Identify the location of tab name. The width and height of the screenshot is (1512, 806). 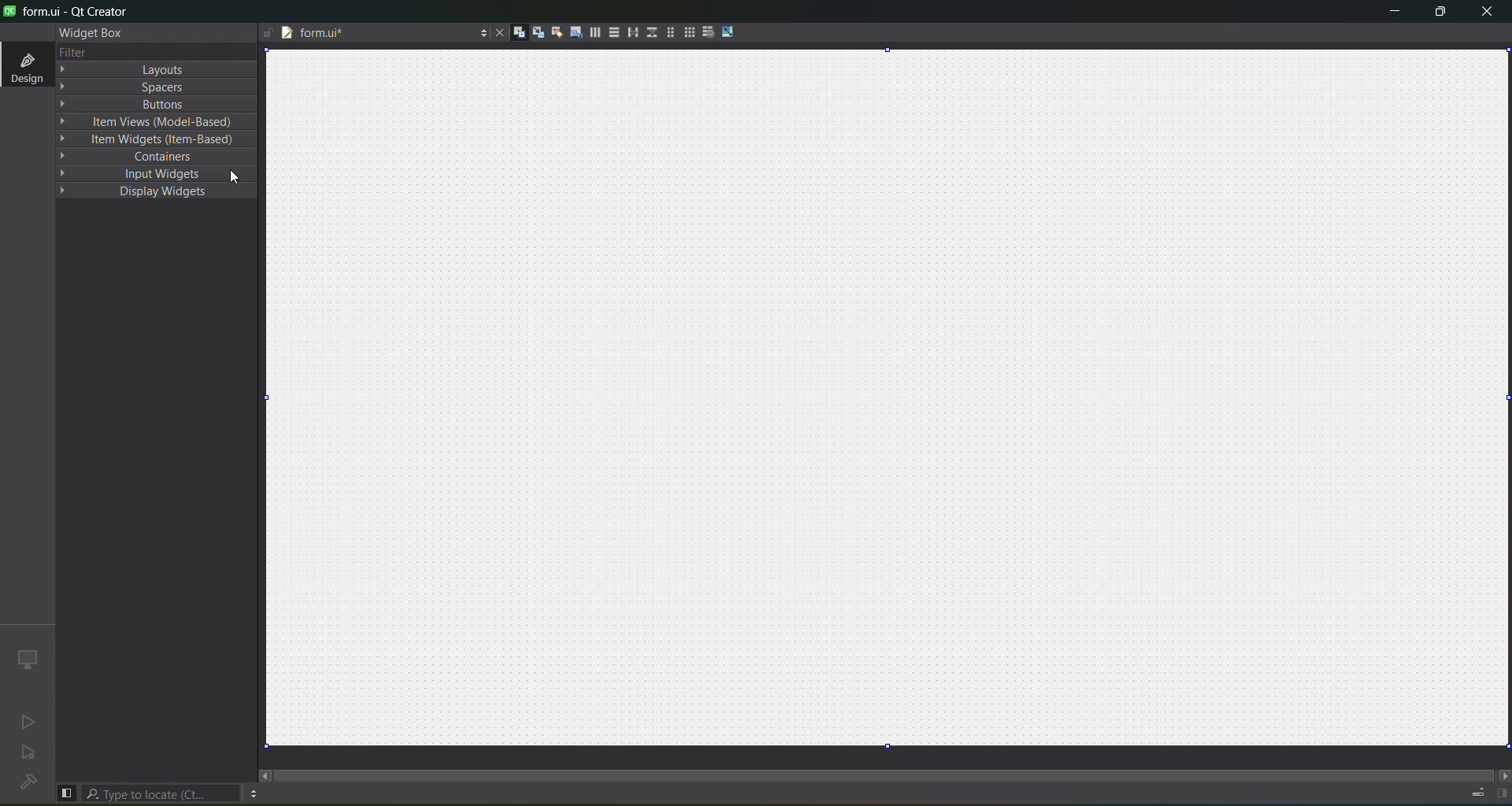
(339, 34).